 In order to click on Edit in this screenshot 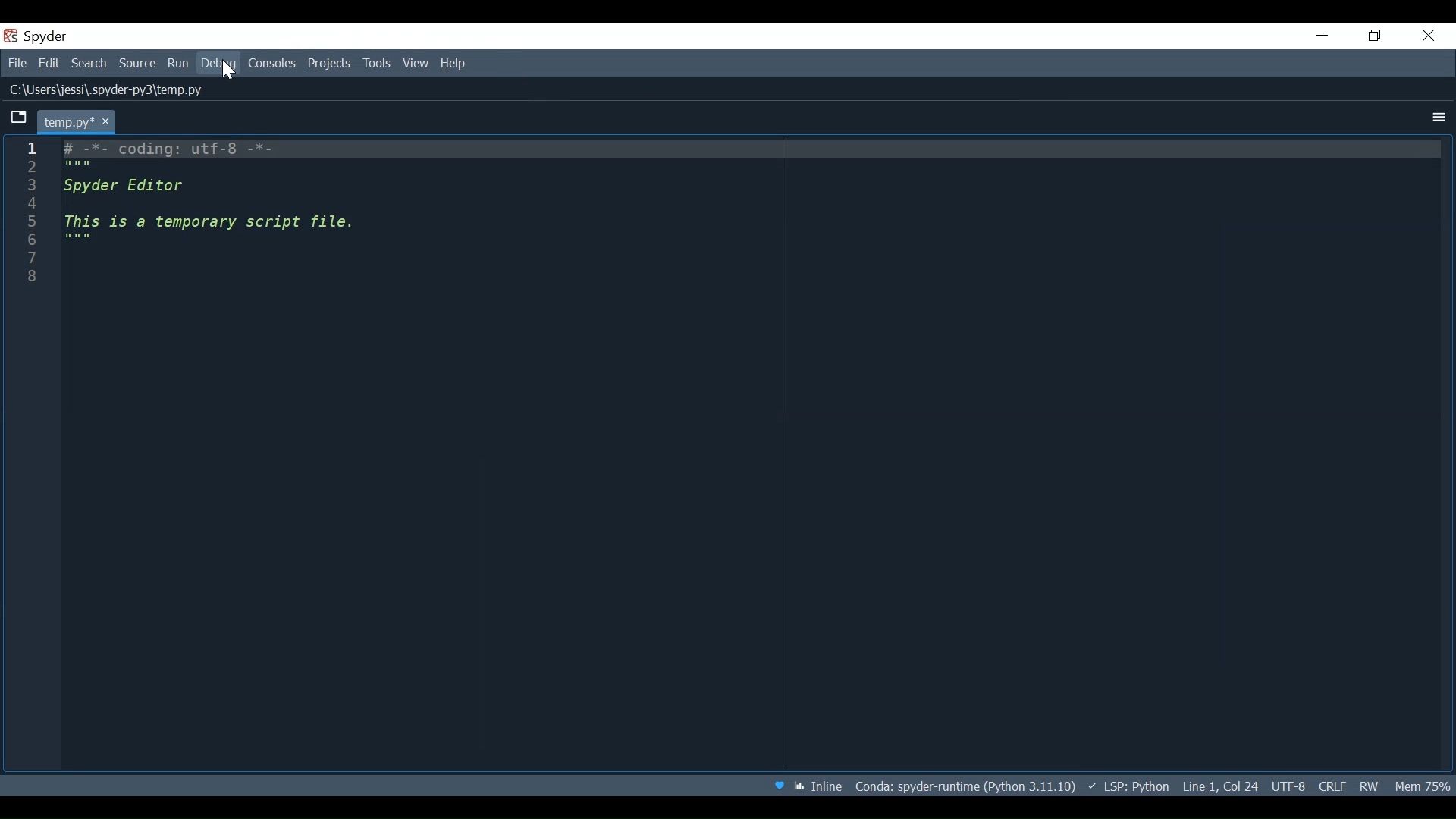, I will do `click(52, 64)`.